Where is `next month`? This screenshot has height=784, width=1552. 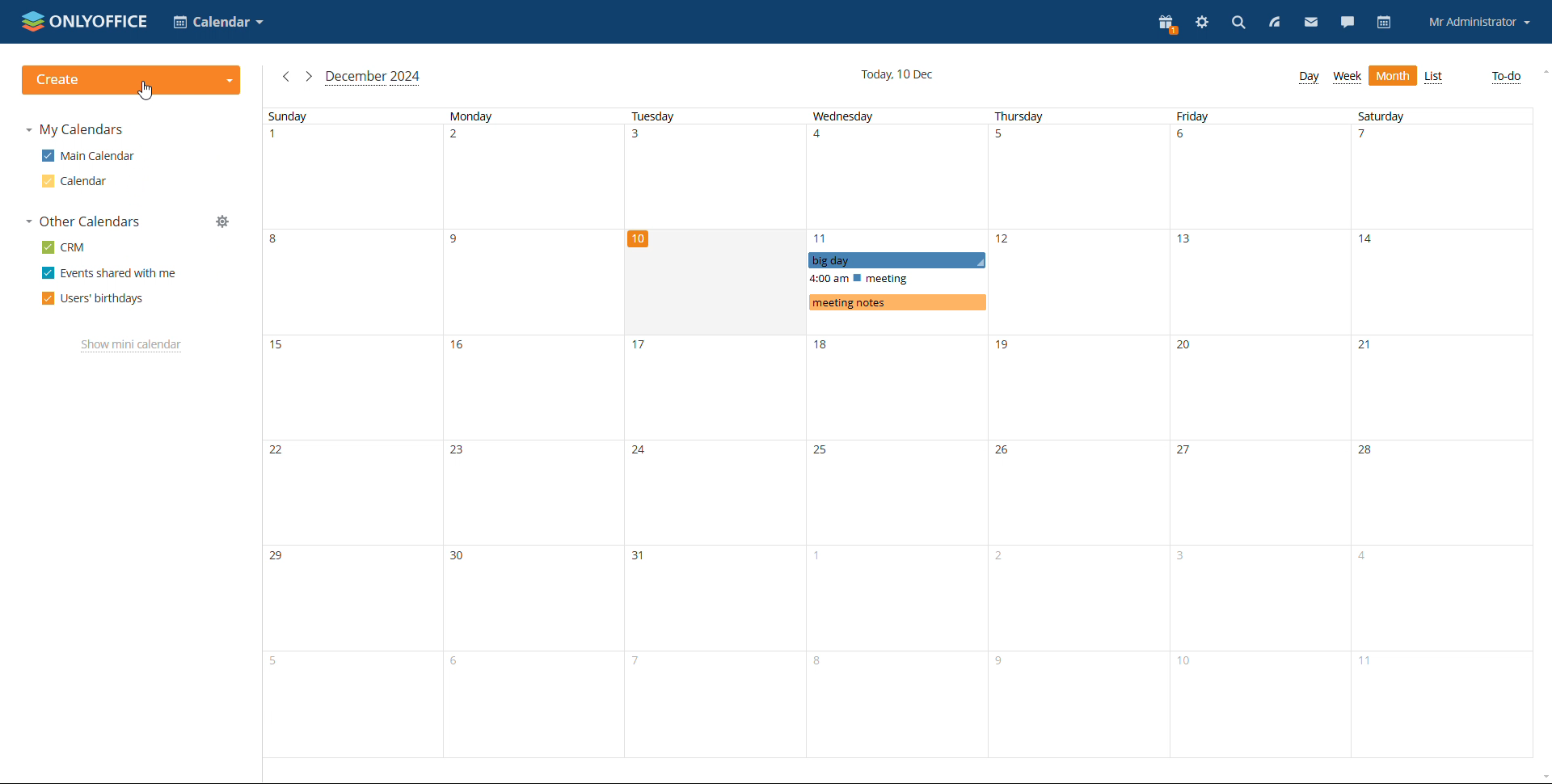 next month is located at coordinates (309, 78).